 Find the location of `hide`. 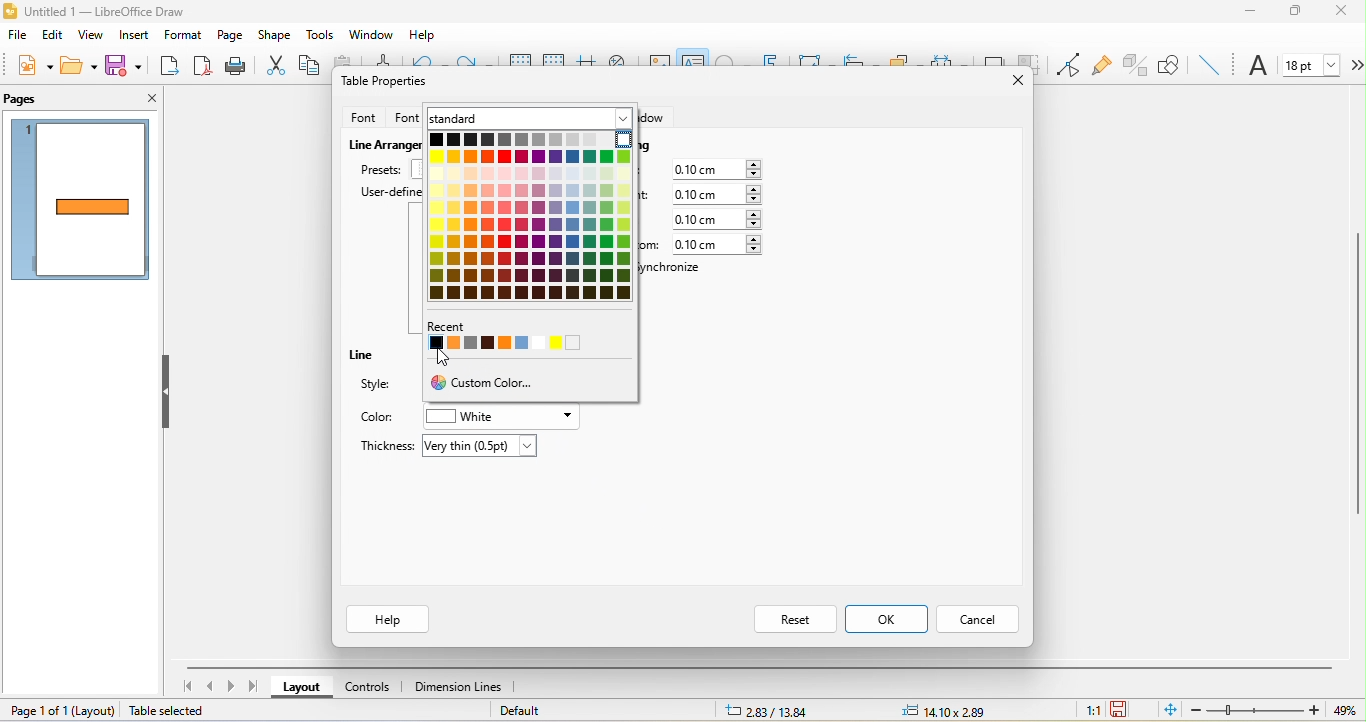

hide is located at coordinates (168, 395).